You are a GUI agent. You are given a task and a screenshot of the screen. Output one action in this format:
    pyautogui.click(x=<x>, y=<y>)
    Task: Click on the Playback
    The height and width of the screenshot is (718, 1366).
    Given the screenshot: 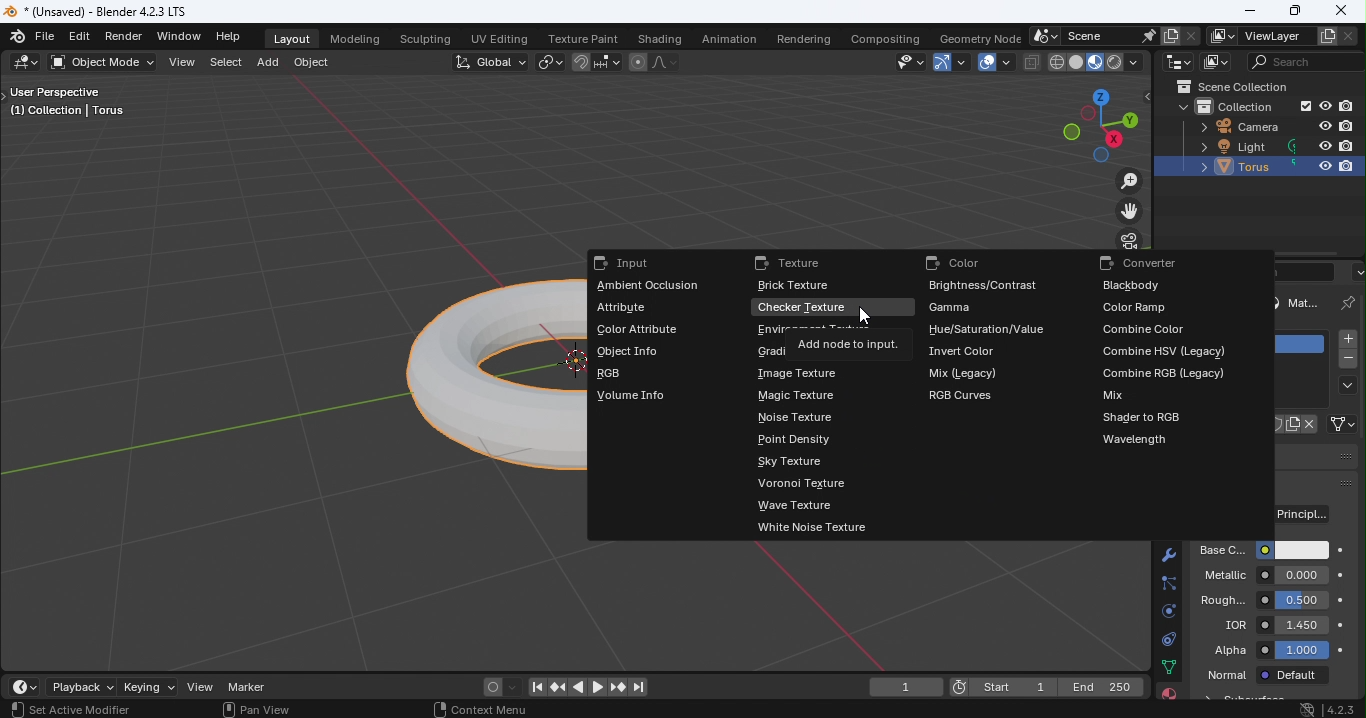 What is the action you would take?
    pyautogui.click(x=81, y=687)
    